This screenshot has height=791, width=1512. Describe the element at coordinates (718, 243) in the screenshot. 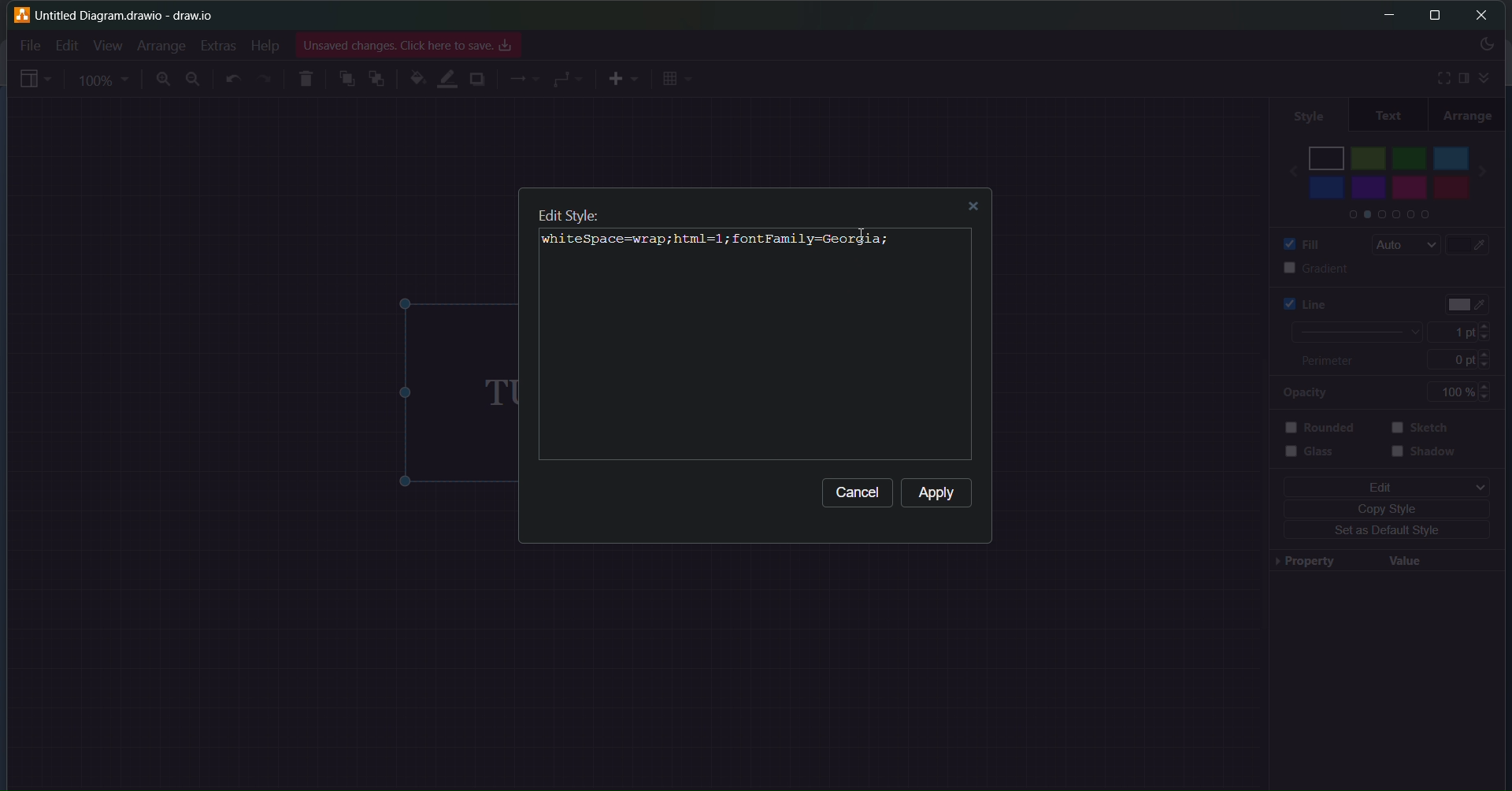

I see `whi teSpace=wrap;html=1; fontFamily=Geordia;` at that location.